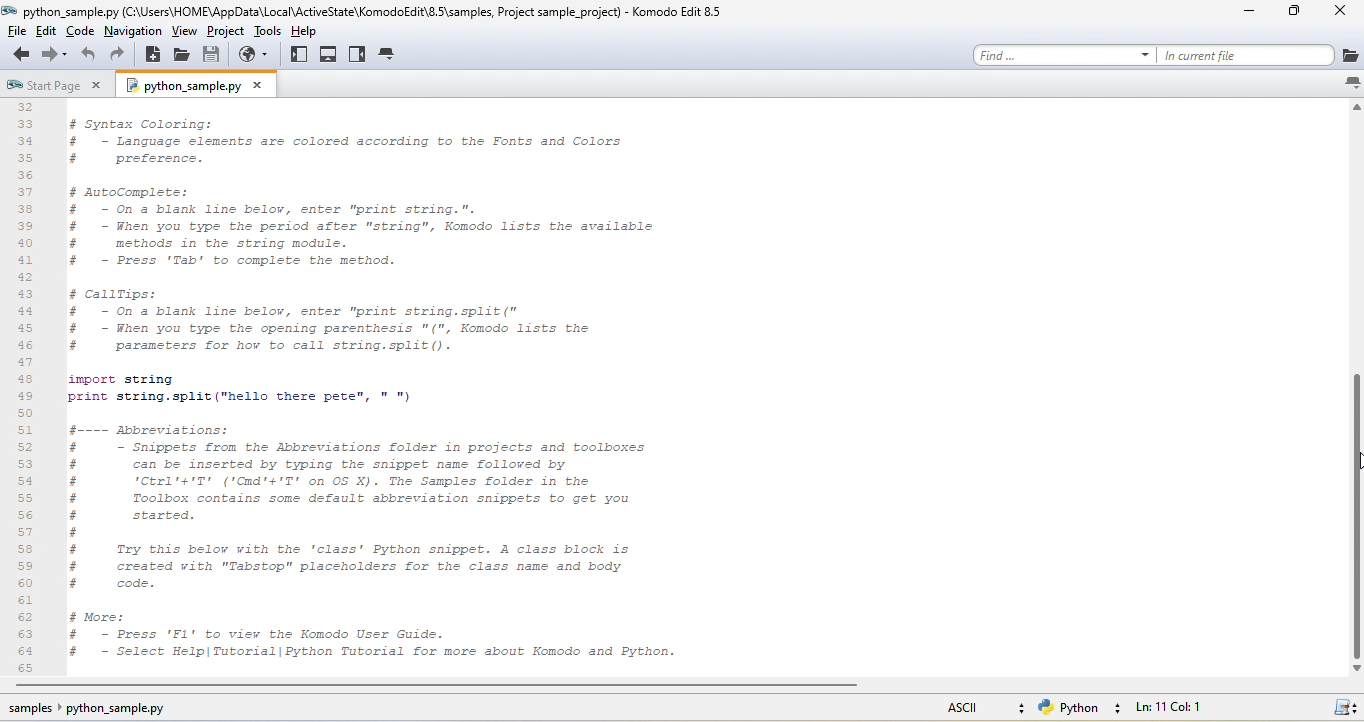 Image resolution: width=1364 pixels, height=722 pixels. What do you see at coordinates (1058, 52) in the screenshot?
I see `find` at bounding box center [1058, 52].